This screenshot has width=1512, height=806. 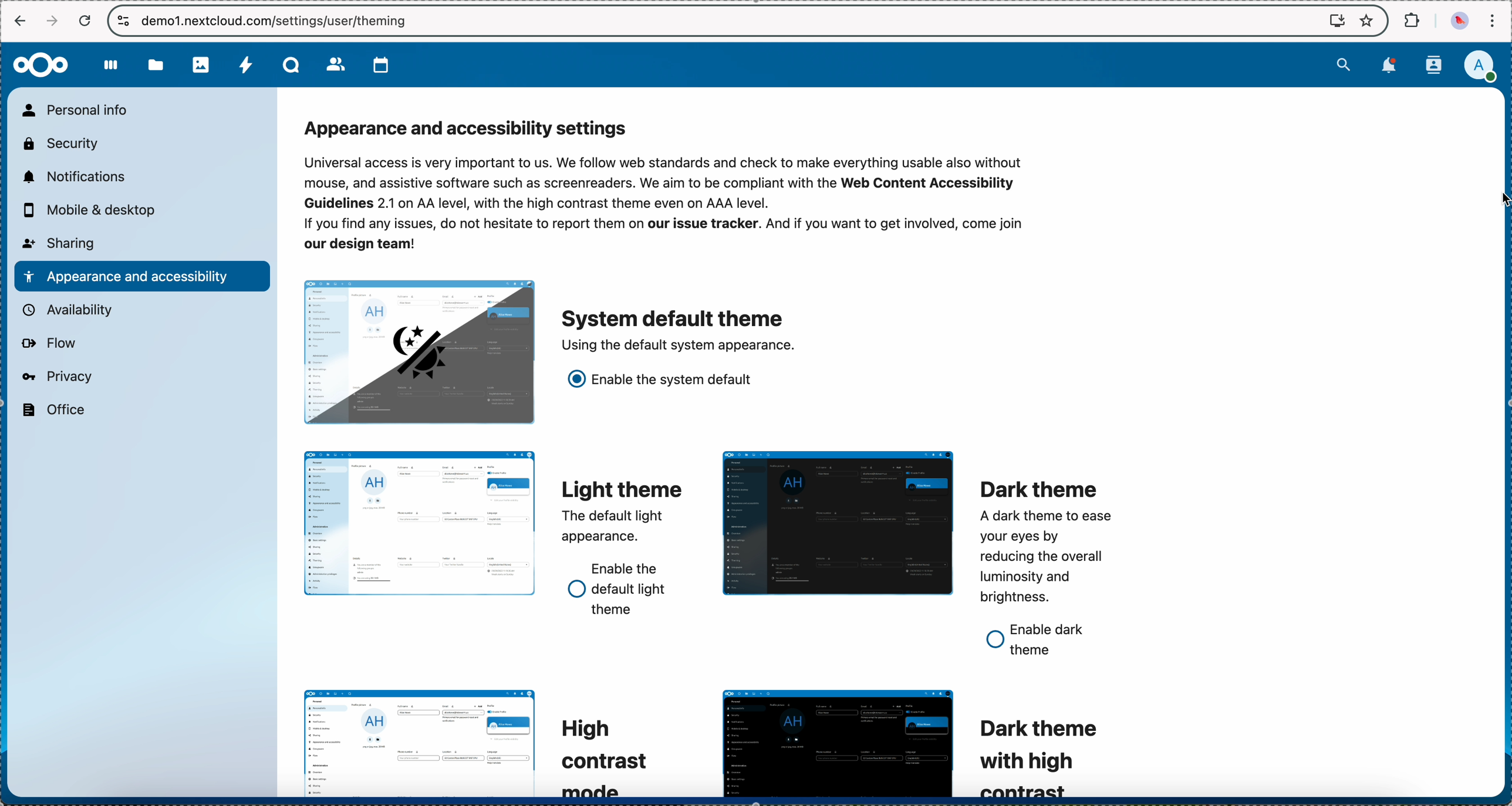 I want to click on navigate foward, so click(x=53, y=20).